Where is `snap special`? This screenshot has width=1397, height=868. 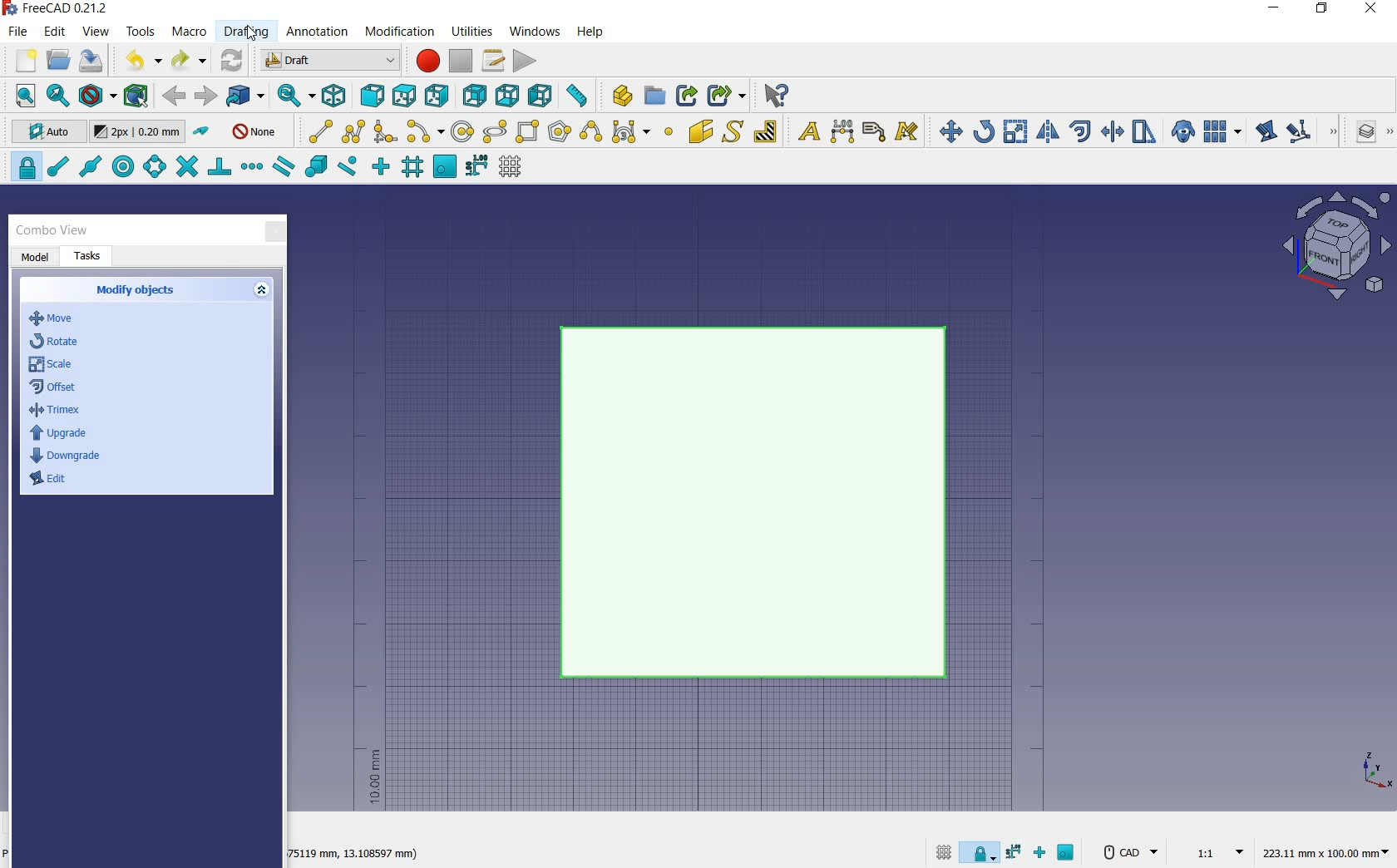 snap special is located at coordinates (314, 167).